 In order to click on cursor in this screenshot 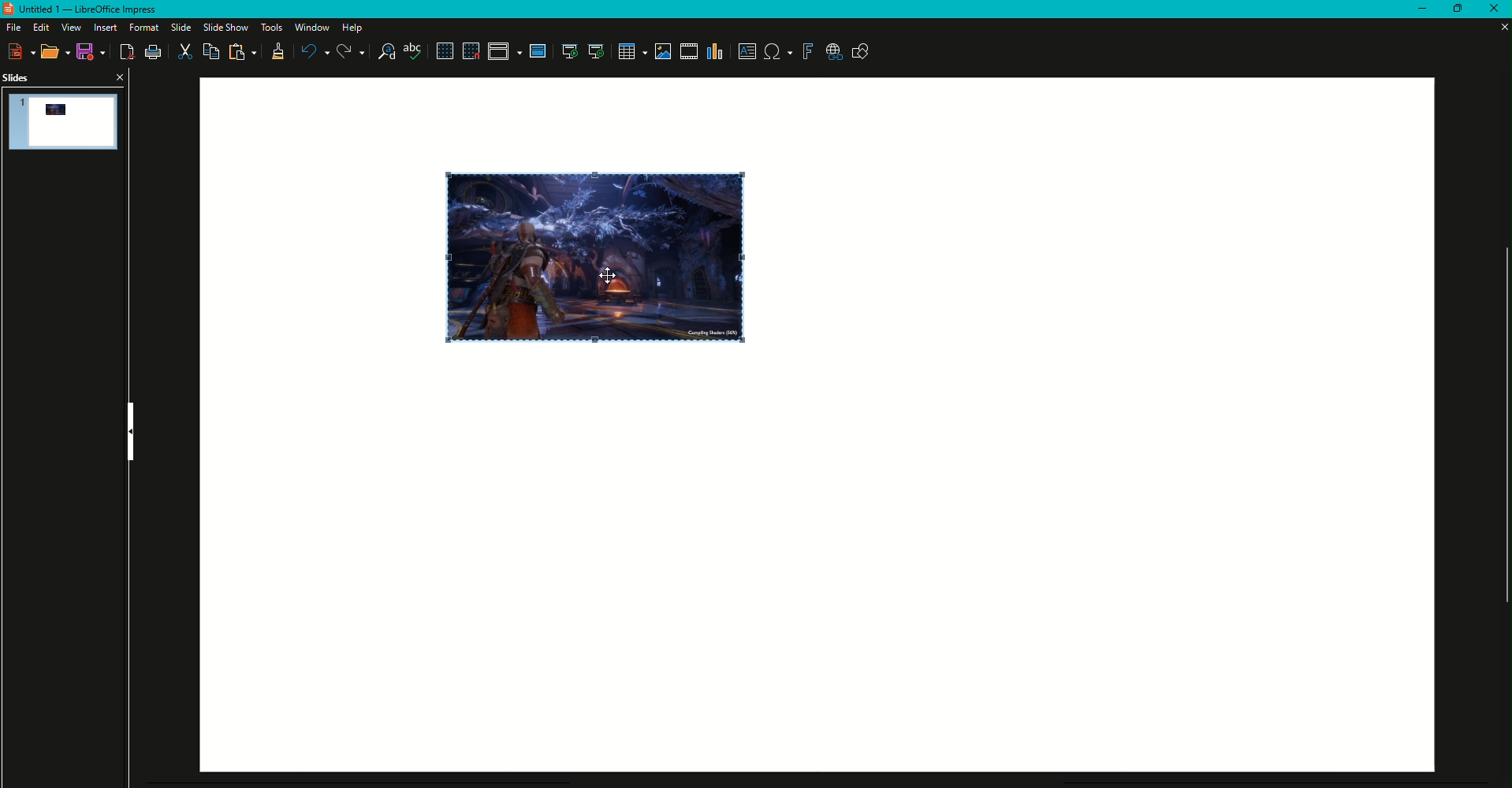, I will do `click(611, 276)`.